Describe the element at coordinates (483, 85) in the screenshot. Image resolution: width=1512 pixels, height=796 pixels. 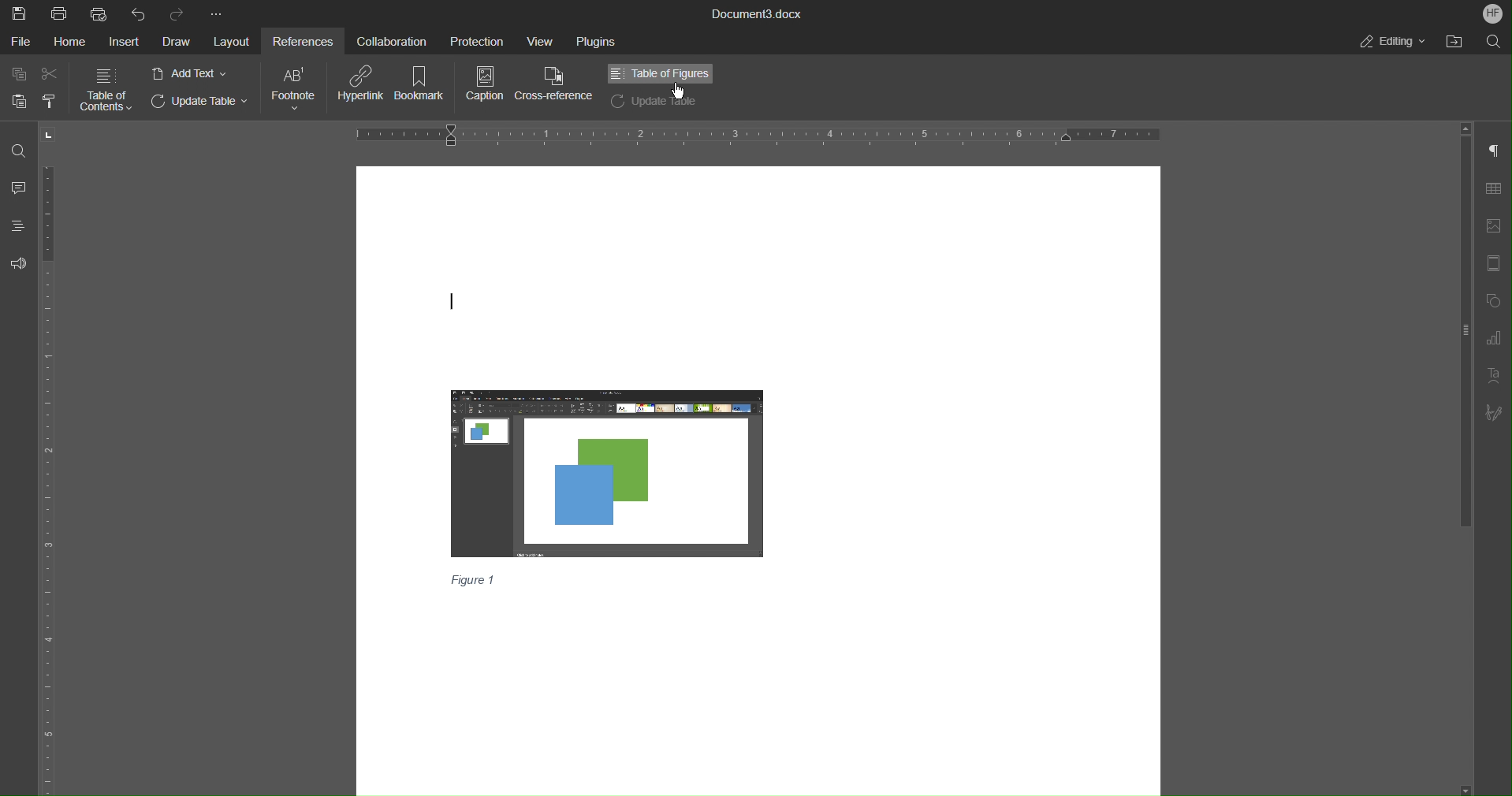
I see `Caption` at that location.